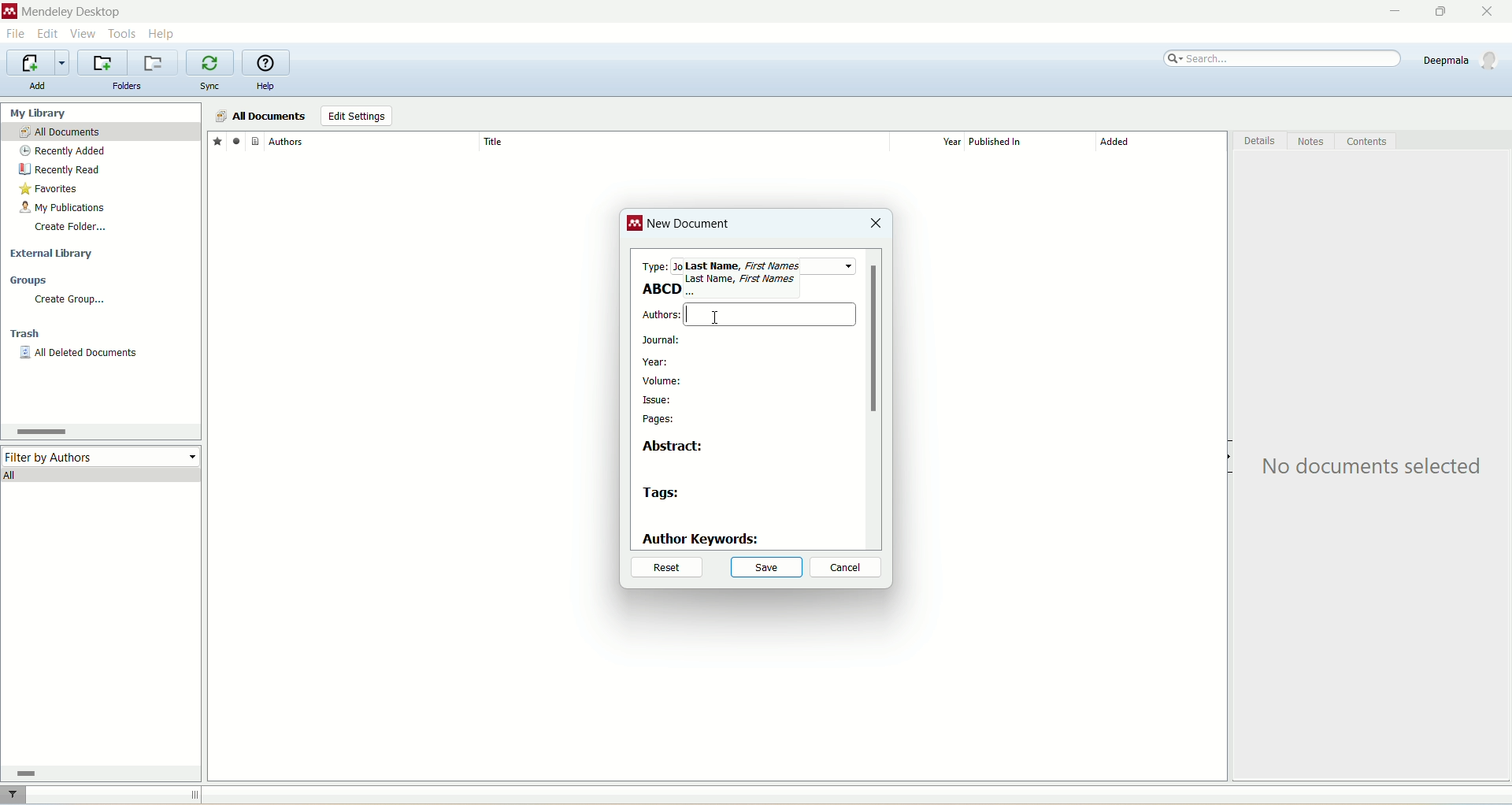 The image size is (1512, 805). What do you see at coordinates (163, 33) in the screenshot?
I see `help` at bounding box center [163, 33].